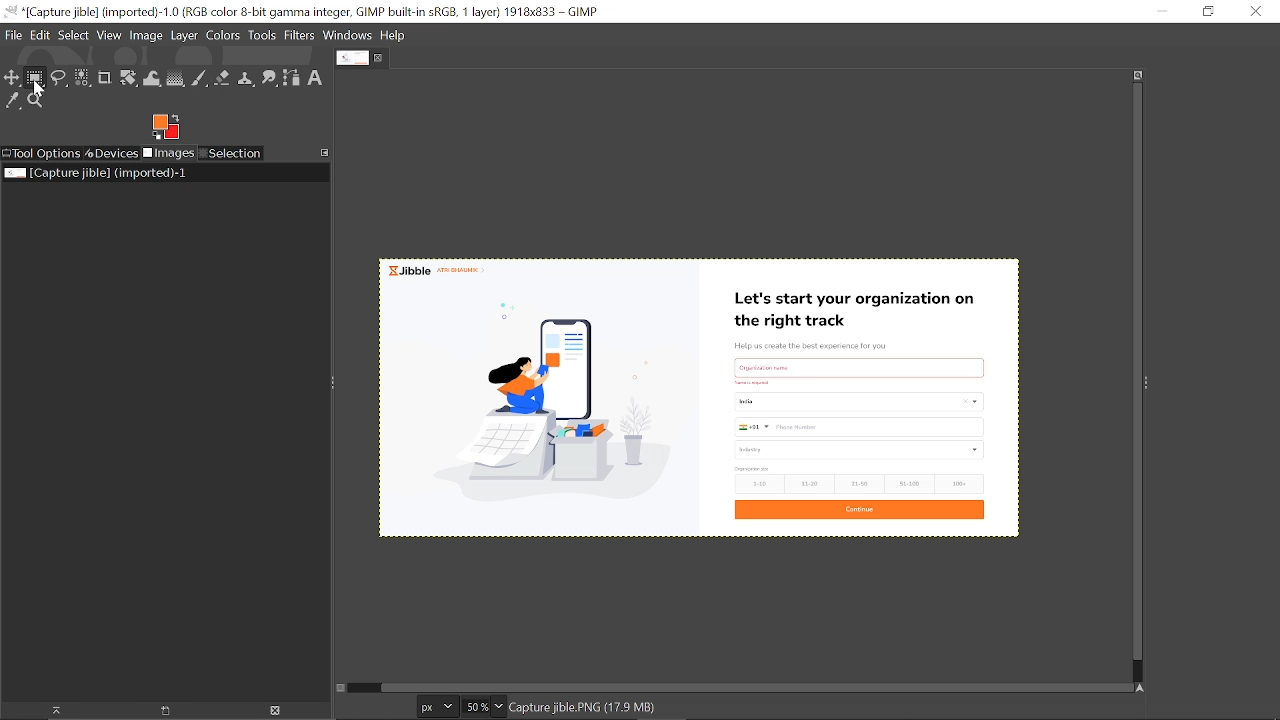 This screenshot has height=720, width=1280. What do you see at coordinates (861, 450) in the screenshot?
I see `industry` at bounding box center [861, 450].